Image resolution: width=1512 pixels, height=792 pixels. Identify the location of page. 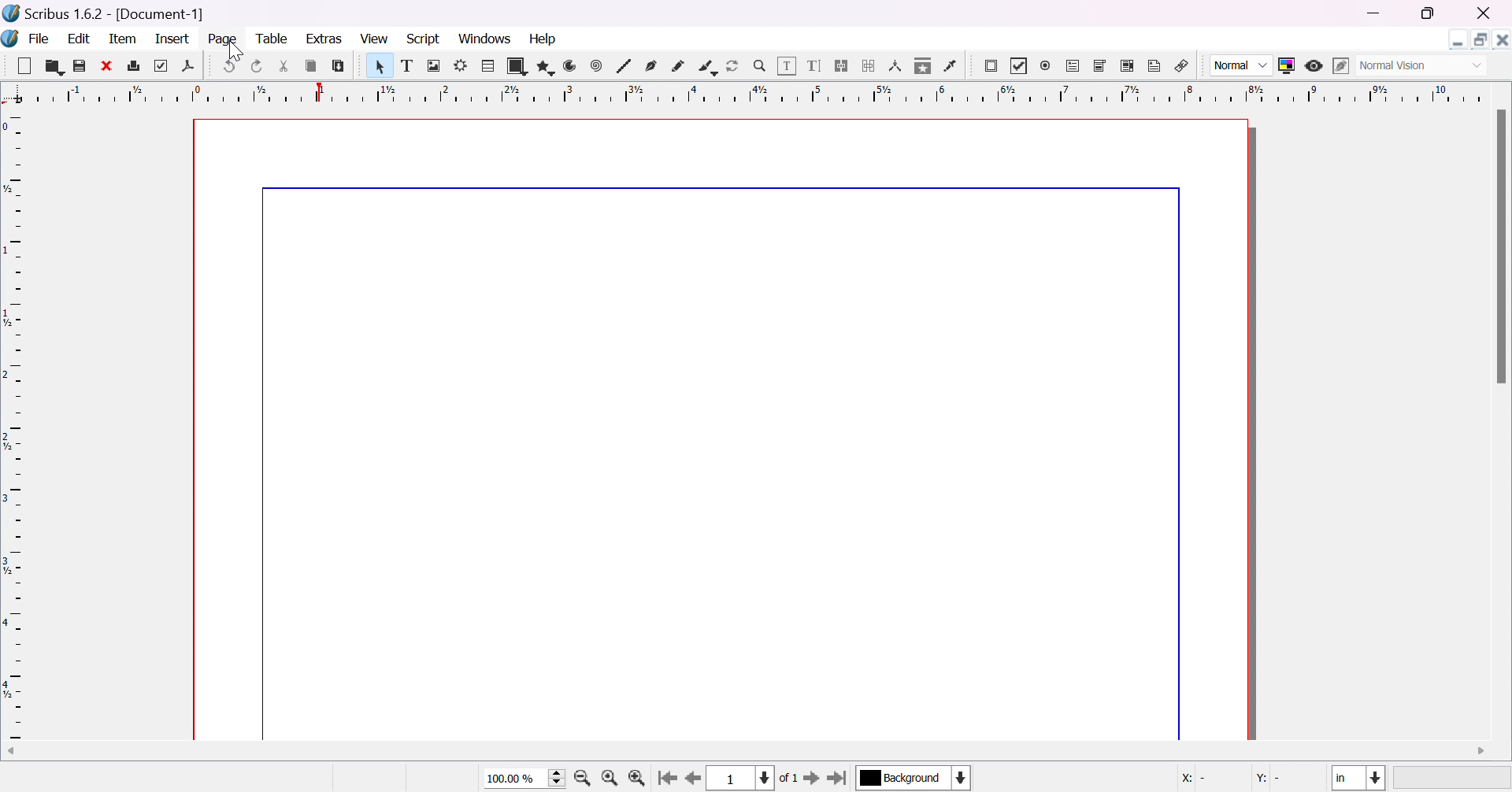
(721, 429).